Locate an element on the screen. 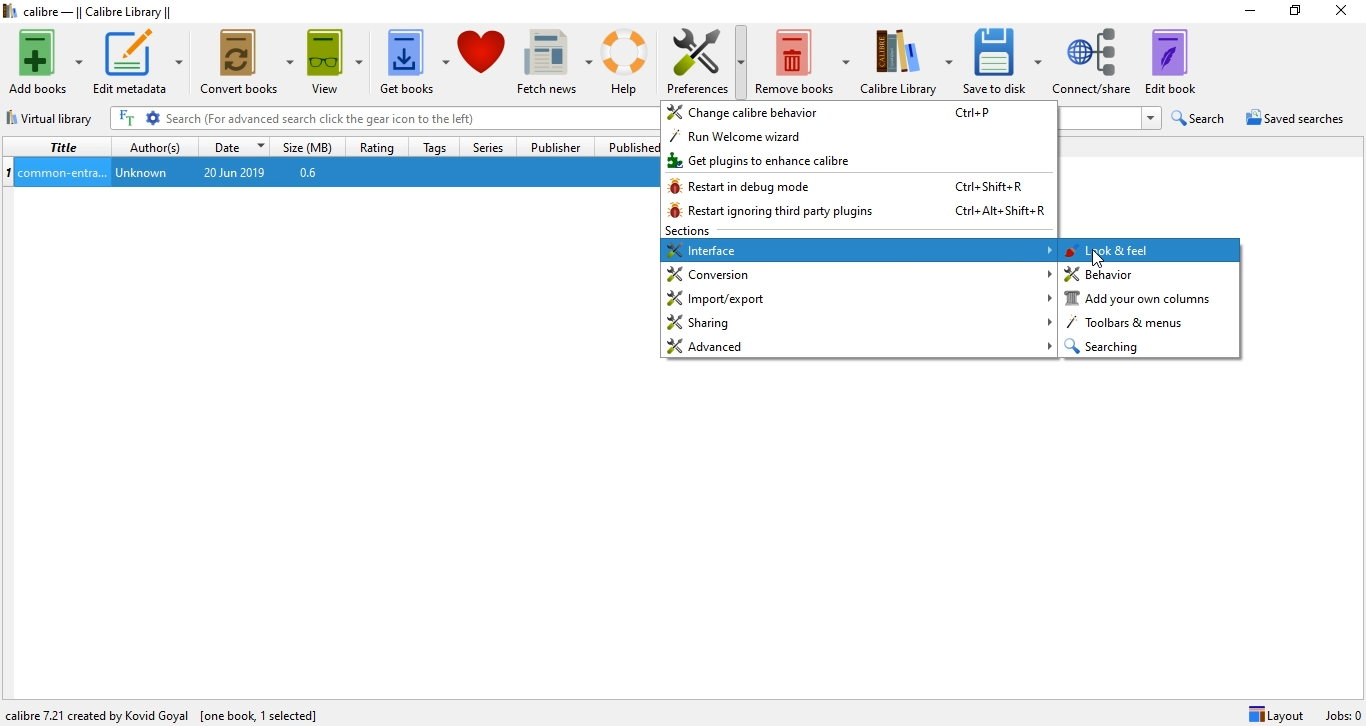 The image size is (1366, 726). advanced is located at coordinates (860, 346).